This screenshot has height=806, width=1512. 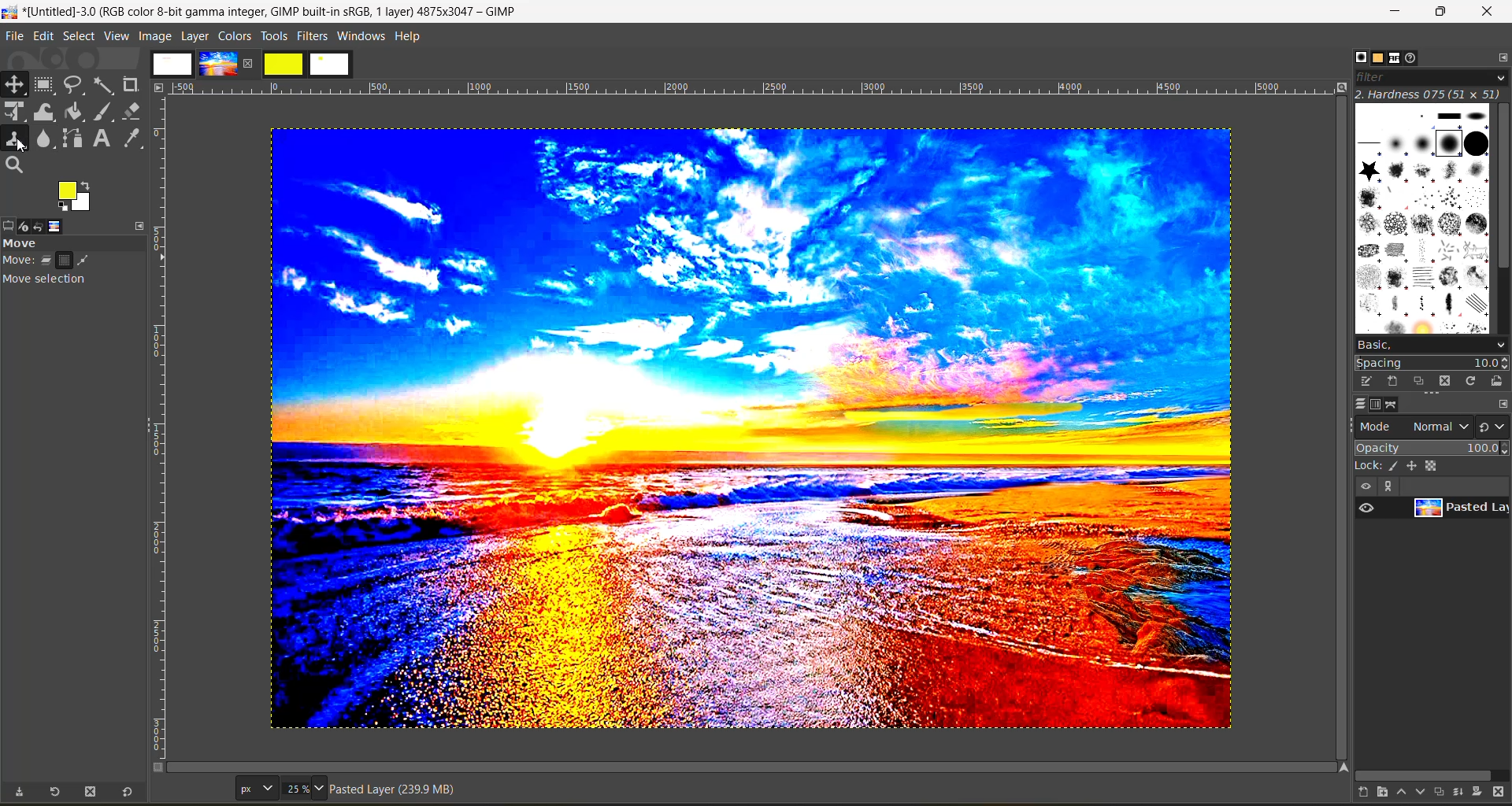 I want to click on basic, so click(x=1430, y=344).